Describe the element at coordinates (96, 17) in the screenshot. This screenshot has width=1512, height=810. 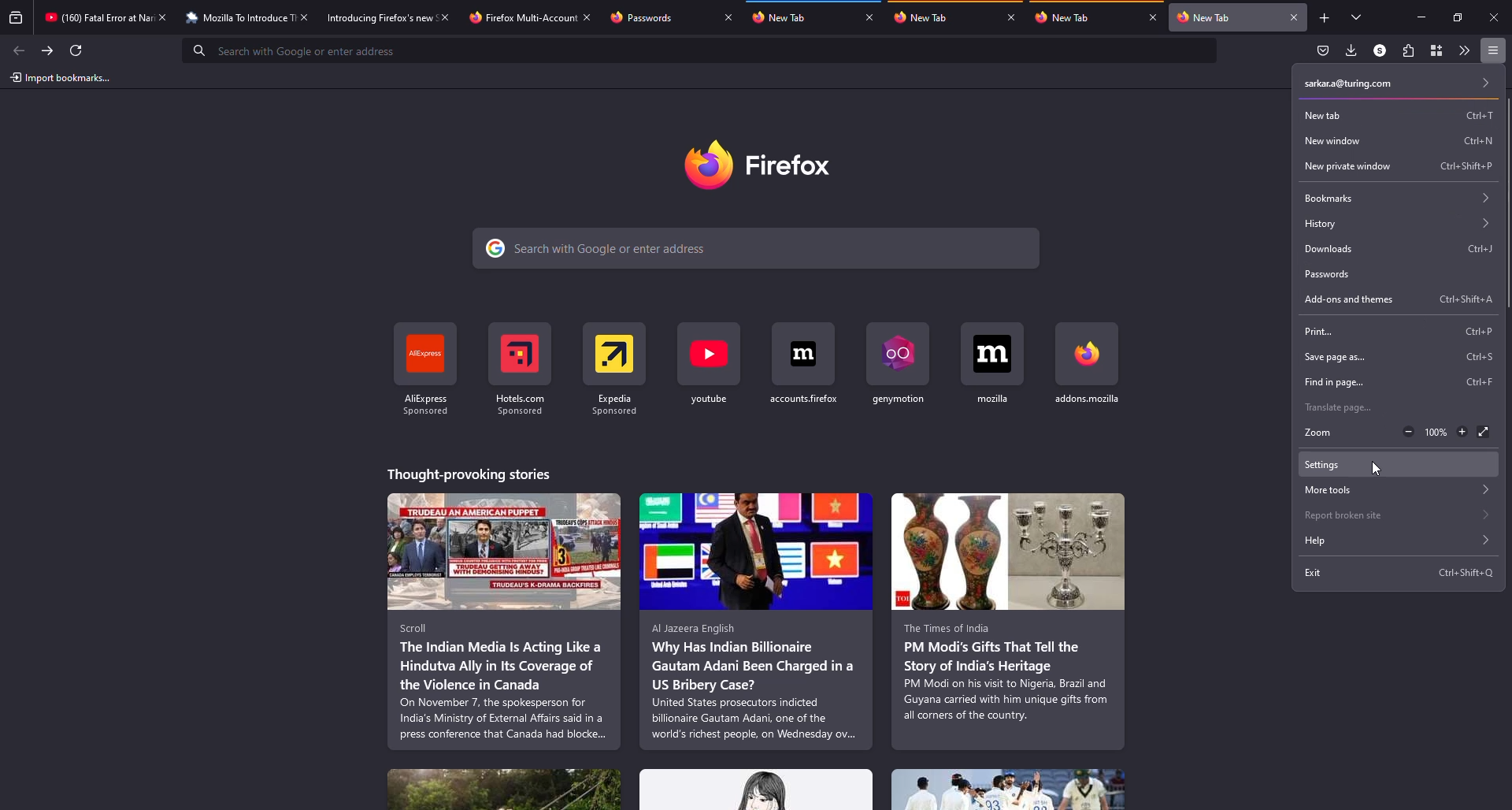
I see `tab` at that location.